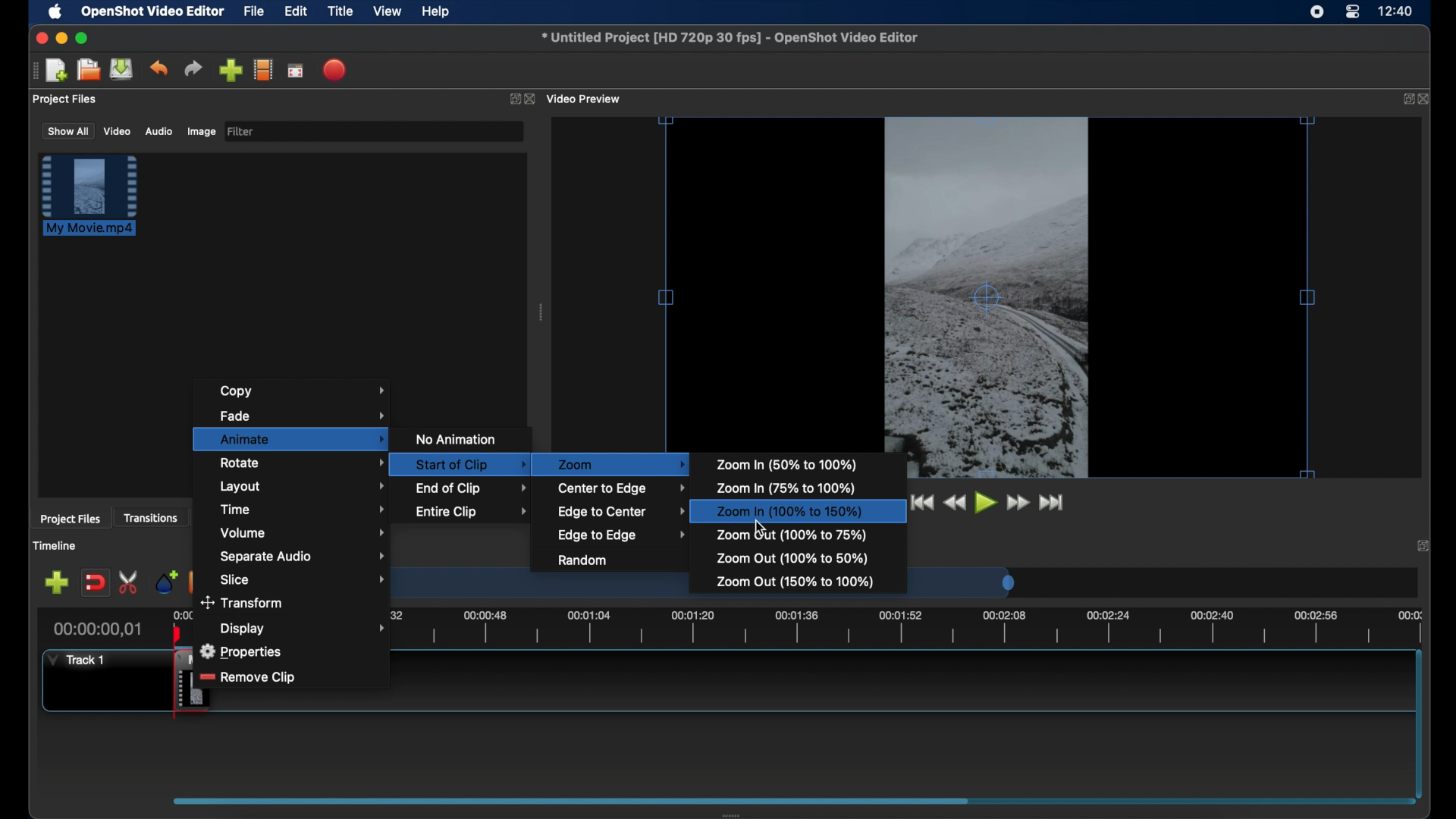 This screenshot has width=1456, height=819. I want to click on zoom in, so click(792, 513).